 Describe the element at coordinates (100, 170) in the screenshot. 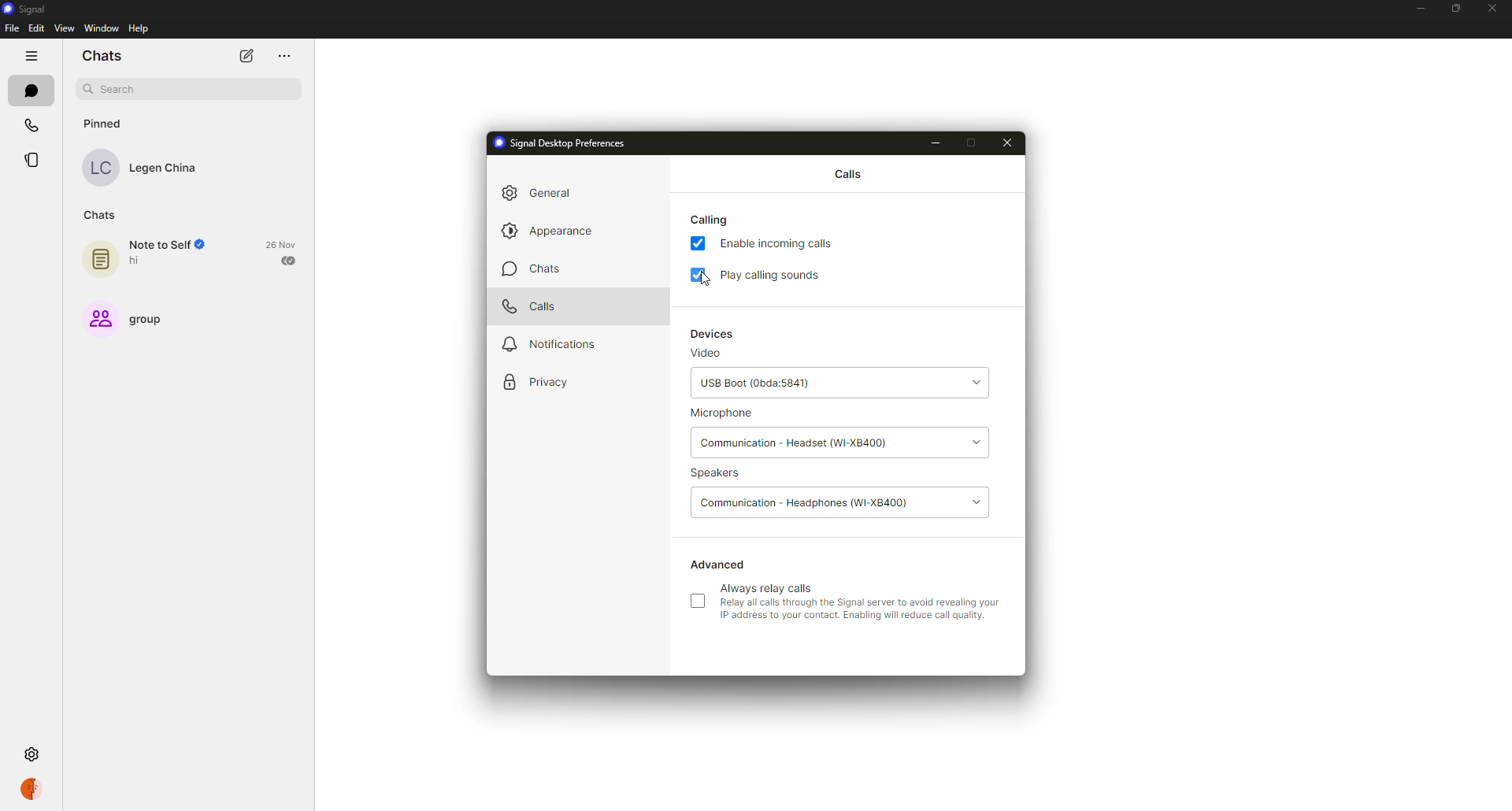

I see `LC` at that location.